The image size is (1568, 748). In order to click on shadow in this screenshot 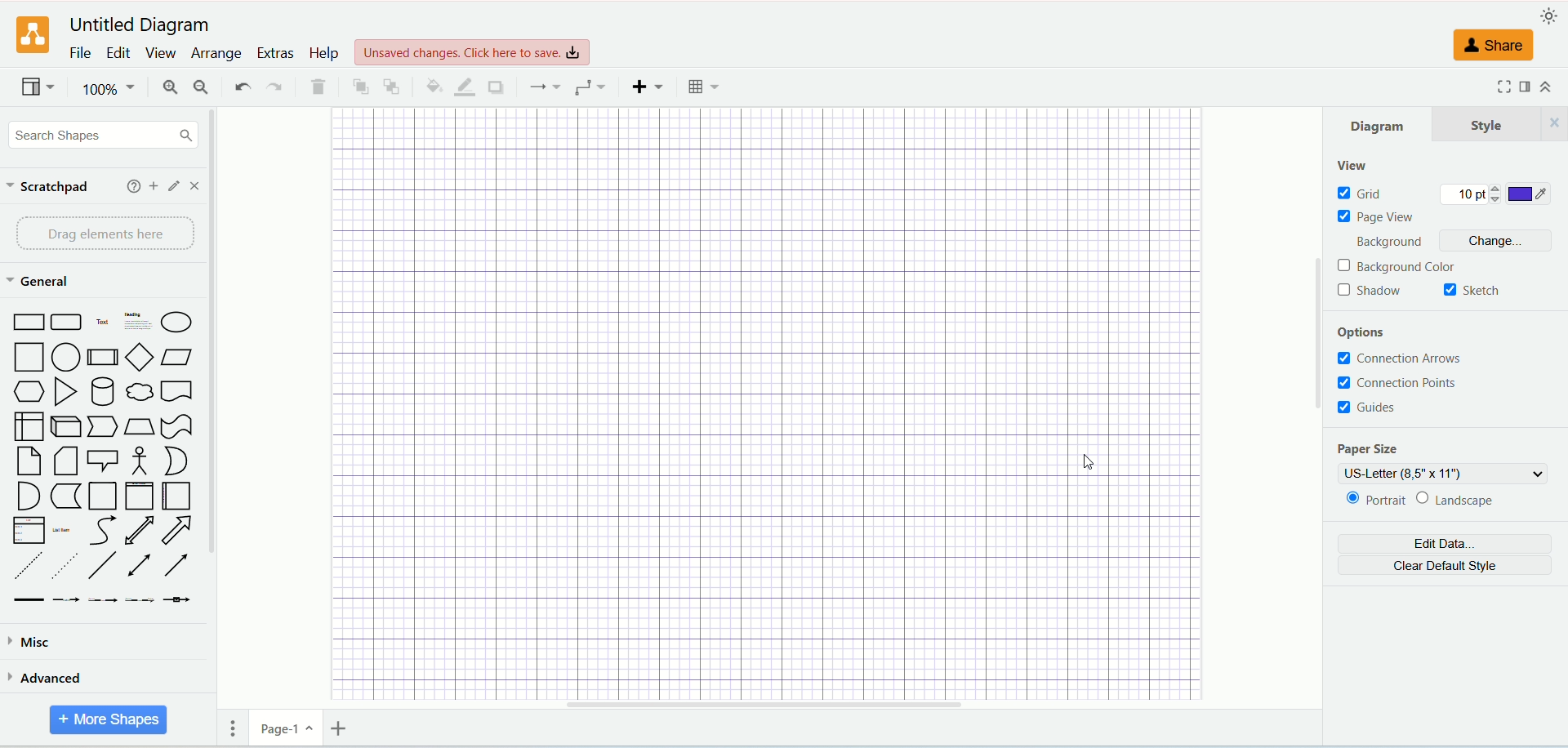, I will do `click(1370, 292)`.